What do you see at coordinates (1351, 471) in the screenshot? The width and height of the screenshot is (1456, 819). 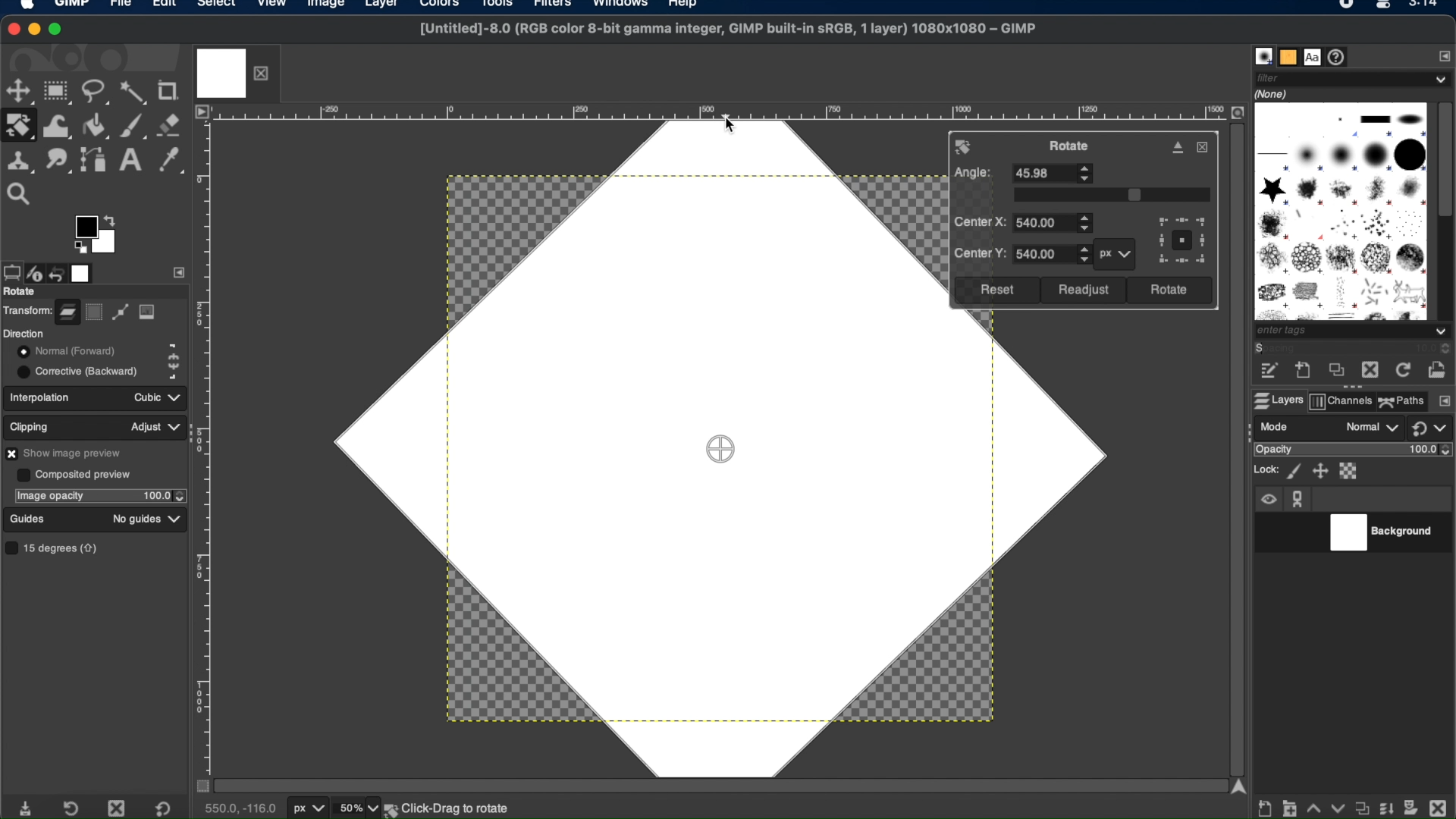 I see `lock alpha channel` at bounding box center [1351, 471].